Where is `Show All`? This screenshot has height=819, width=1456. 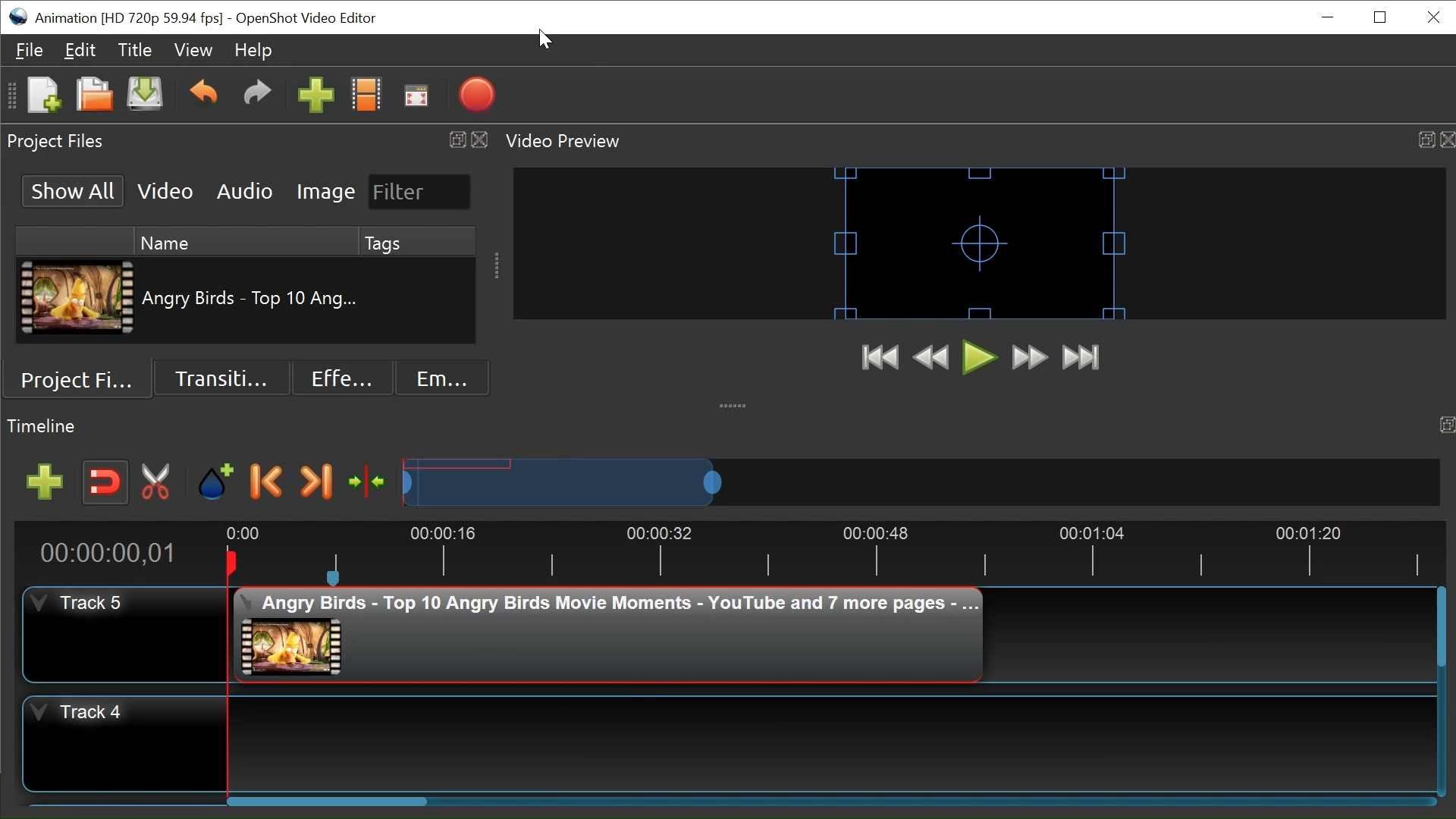
Show All is located at coordinates (72, 190).